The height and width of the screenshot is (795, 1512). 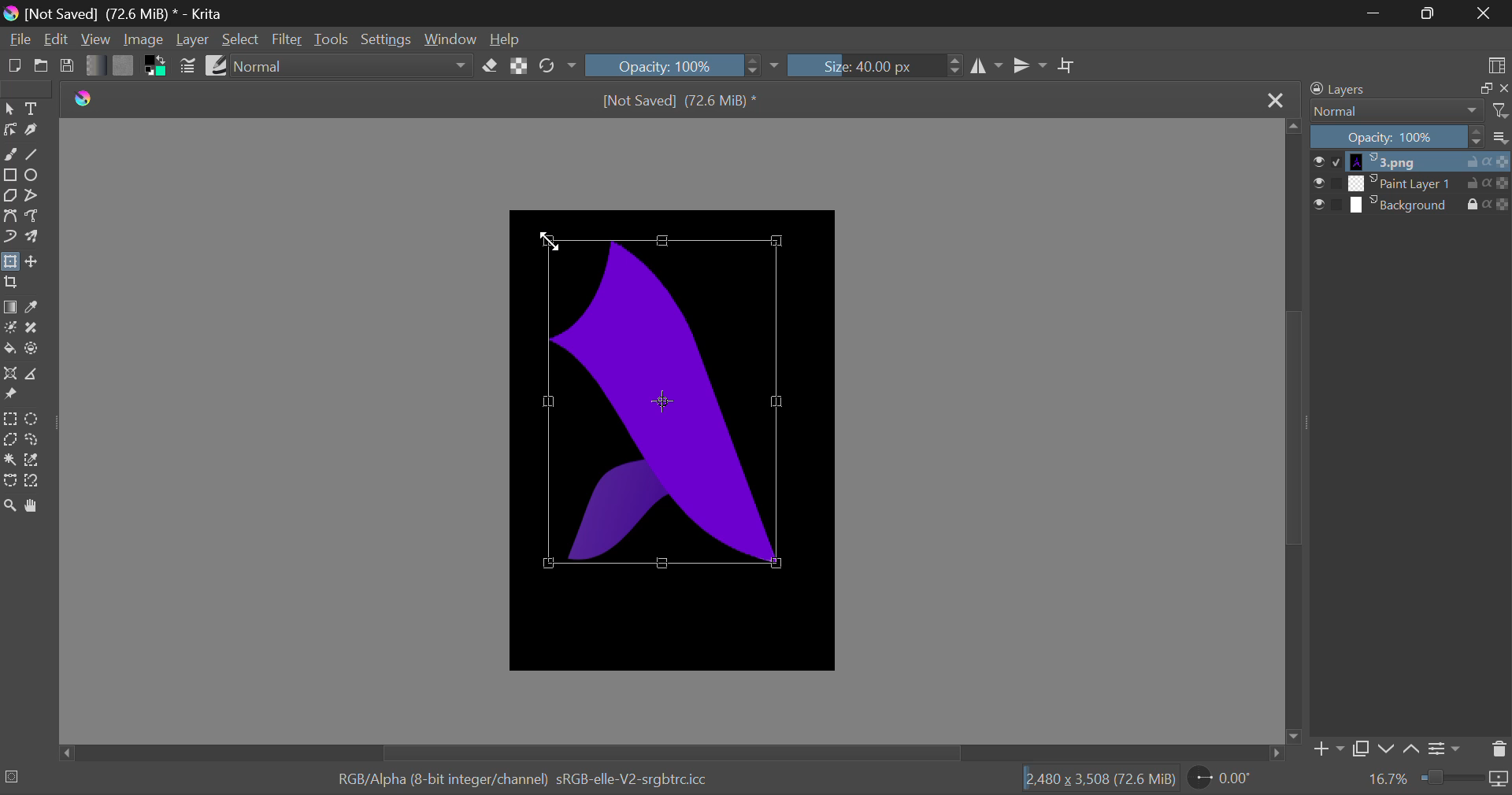 What do you see at coordinates (34, 263) in the screenshot?
I see `Move Layers` at bounding box center [34, 263].